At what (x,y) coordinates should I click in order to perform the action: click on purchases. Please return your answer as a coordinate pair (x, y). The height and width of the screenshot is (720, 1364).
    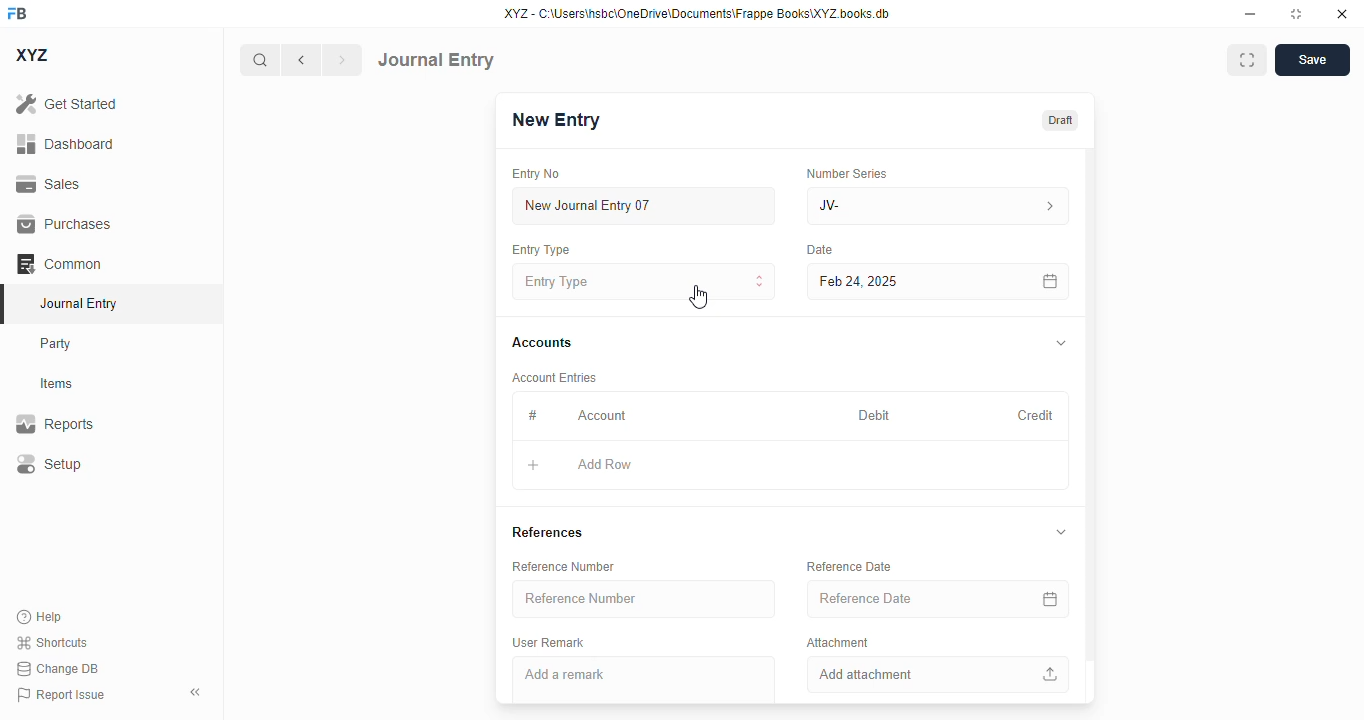
    Looking at the image, I should click on (66, 224).